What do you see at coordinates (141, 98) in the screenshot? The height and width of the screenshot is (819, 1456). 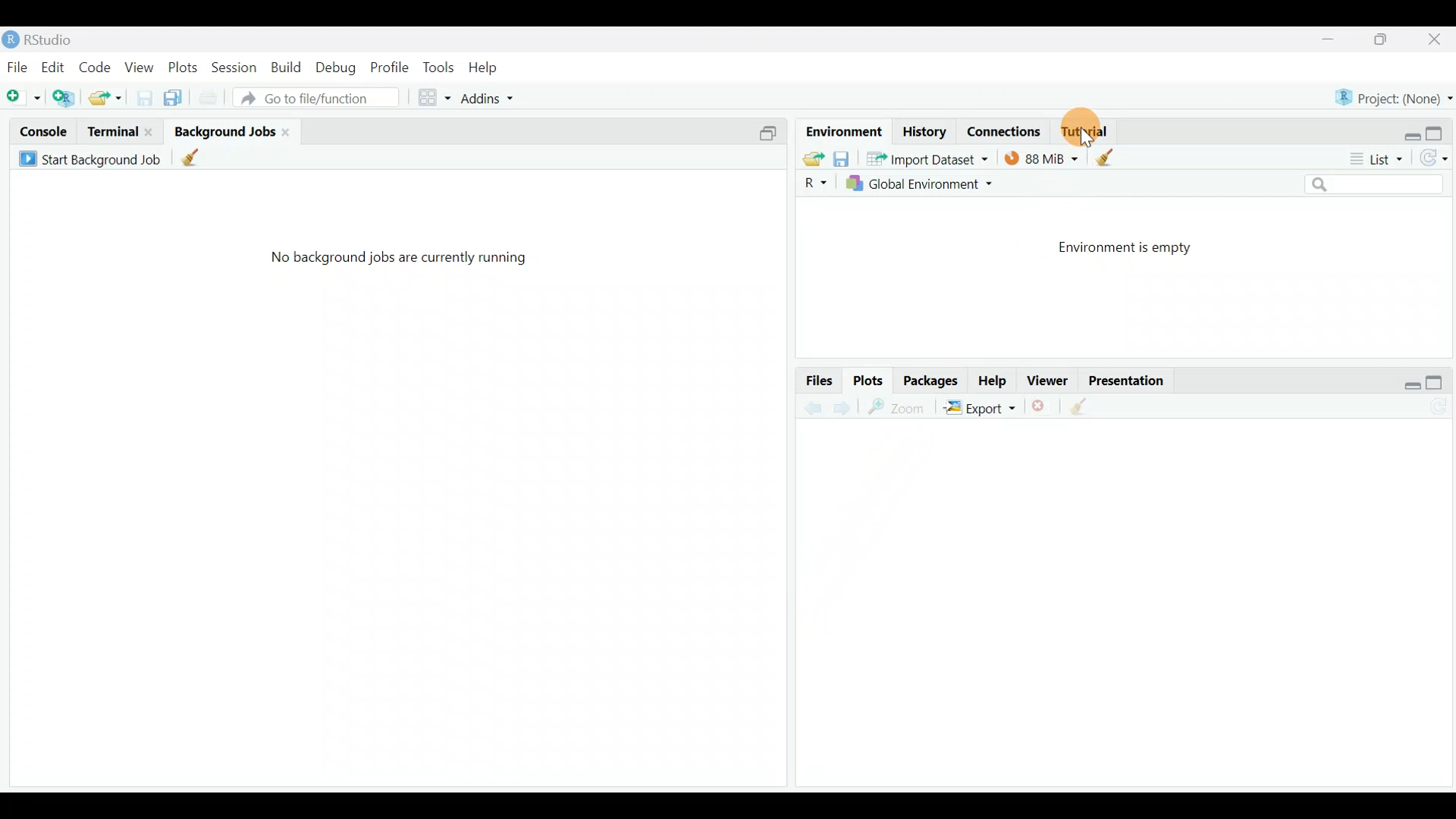 I see `Save current document` at bounding box center [141, 98].